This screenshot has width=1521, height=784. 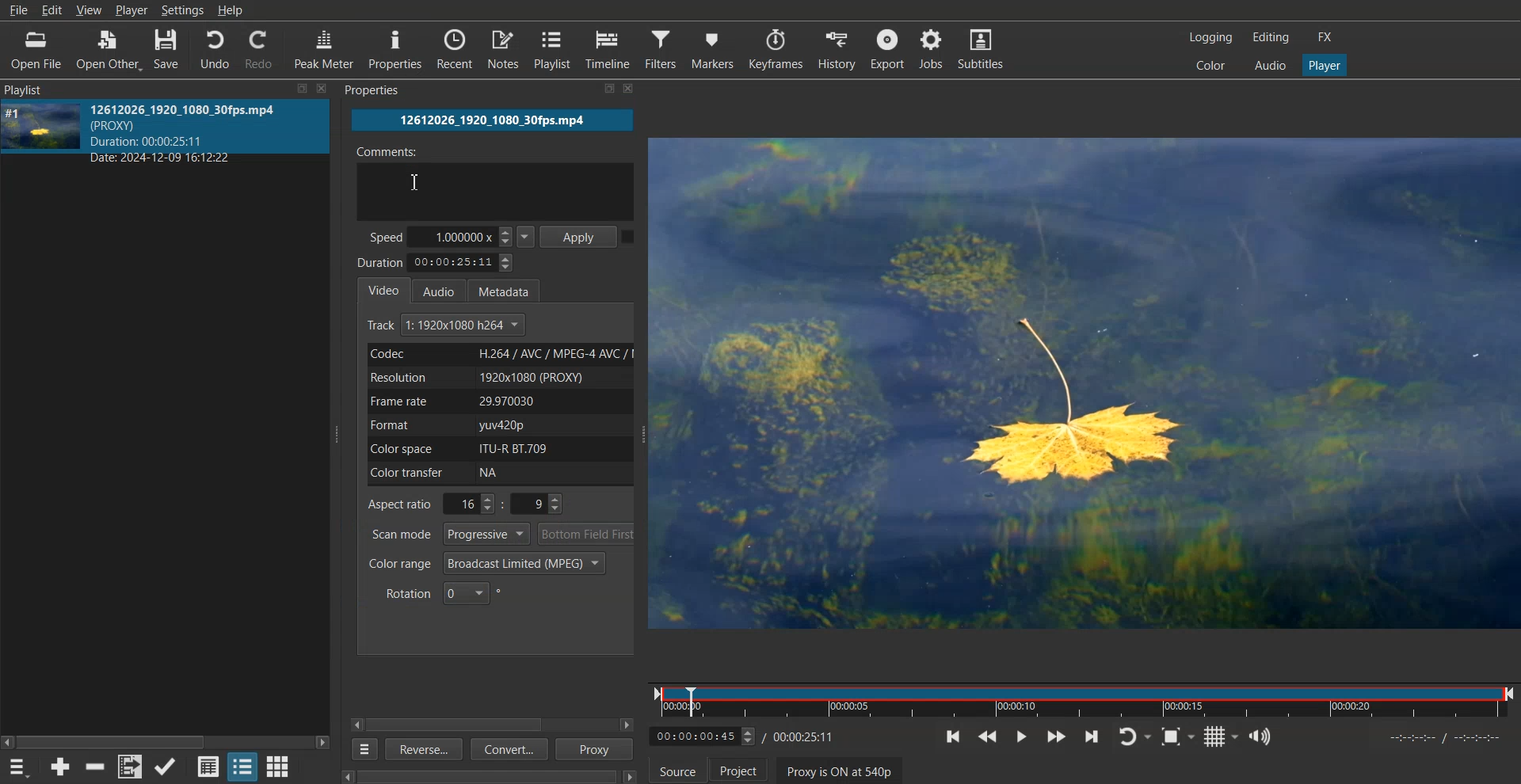 What do you see at coordinates (493, 120) in the screenshot?
I see `File Name` at bounding box center [493, 120].